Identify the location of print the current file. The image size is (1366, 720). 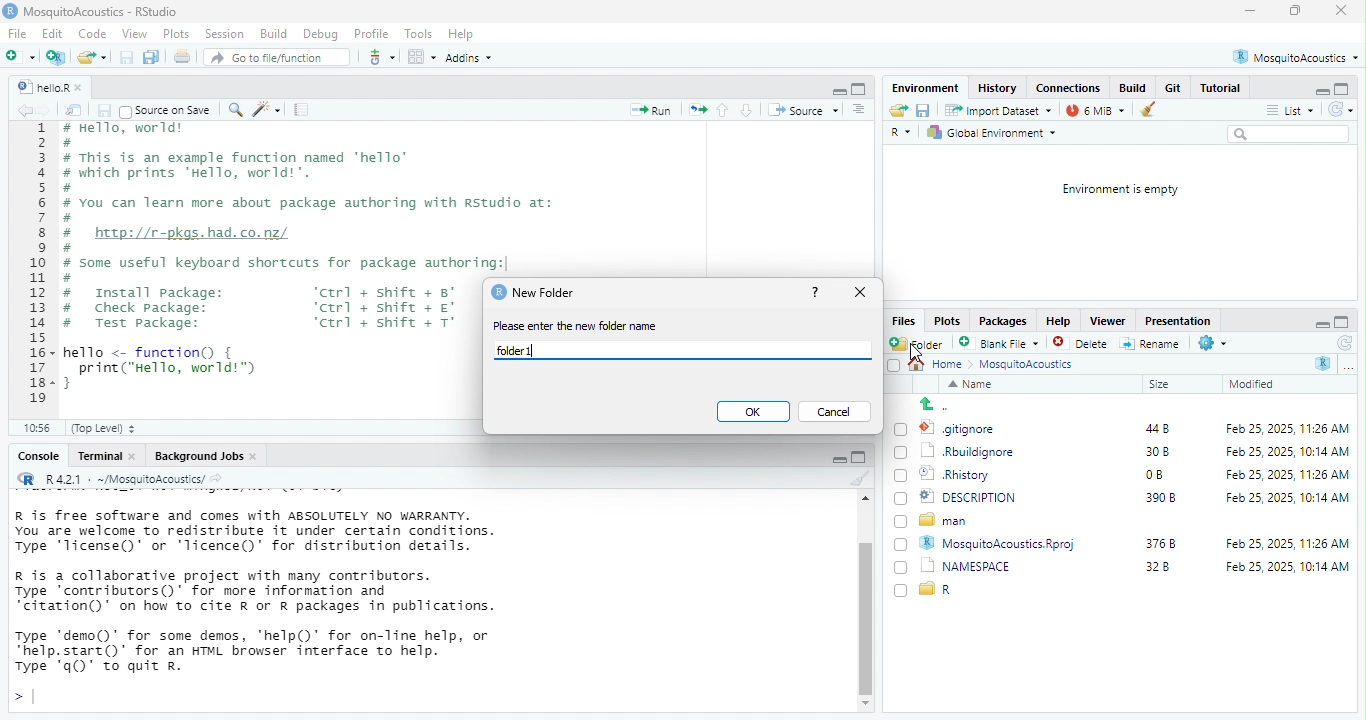
(183, 57).